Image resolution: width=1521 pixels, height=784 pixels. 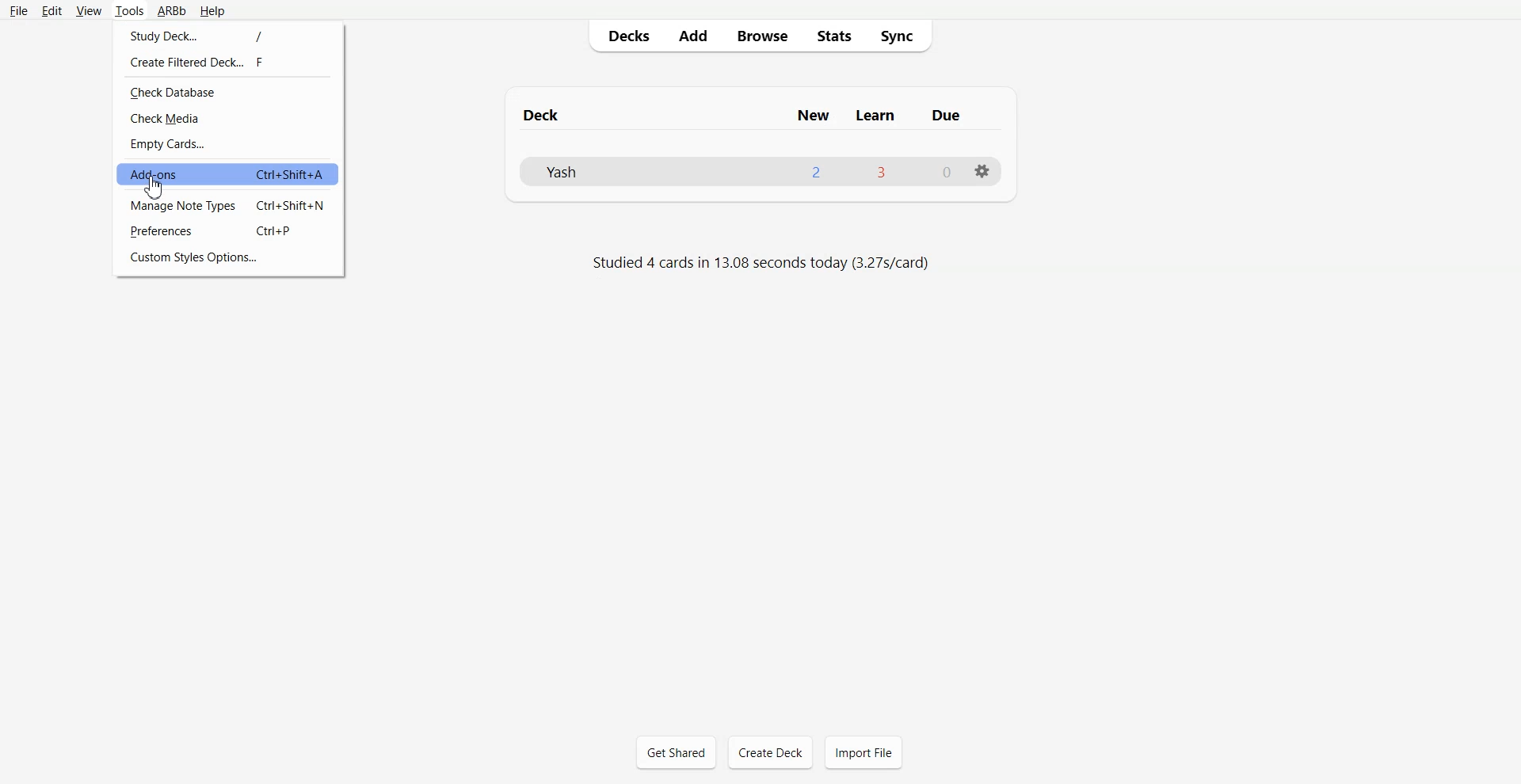 What do you see at coordinates (171, 10) in the screenshot?
I see `ARBb` at bounding box center [171, 10].